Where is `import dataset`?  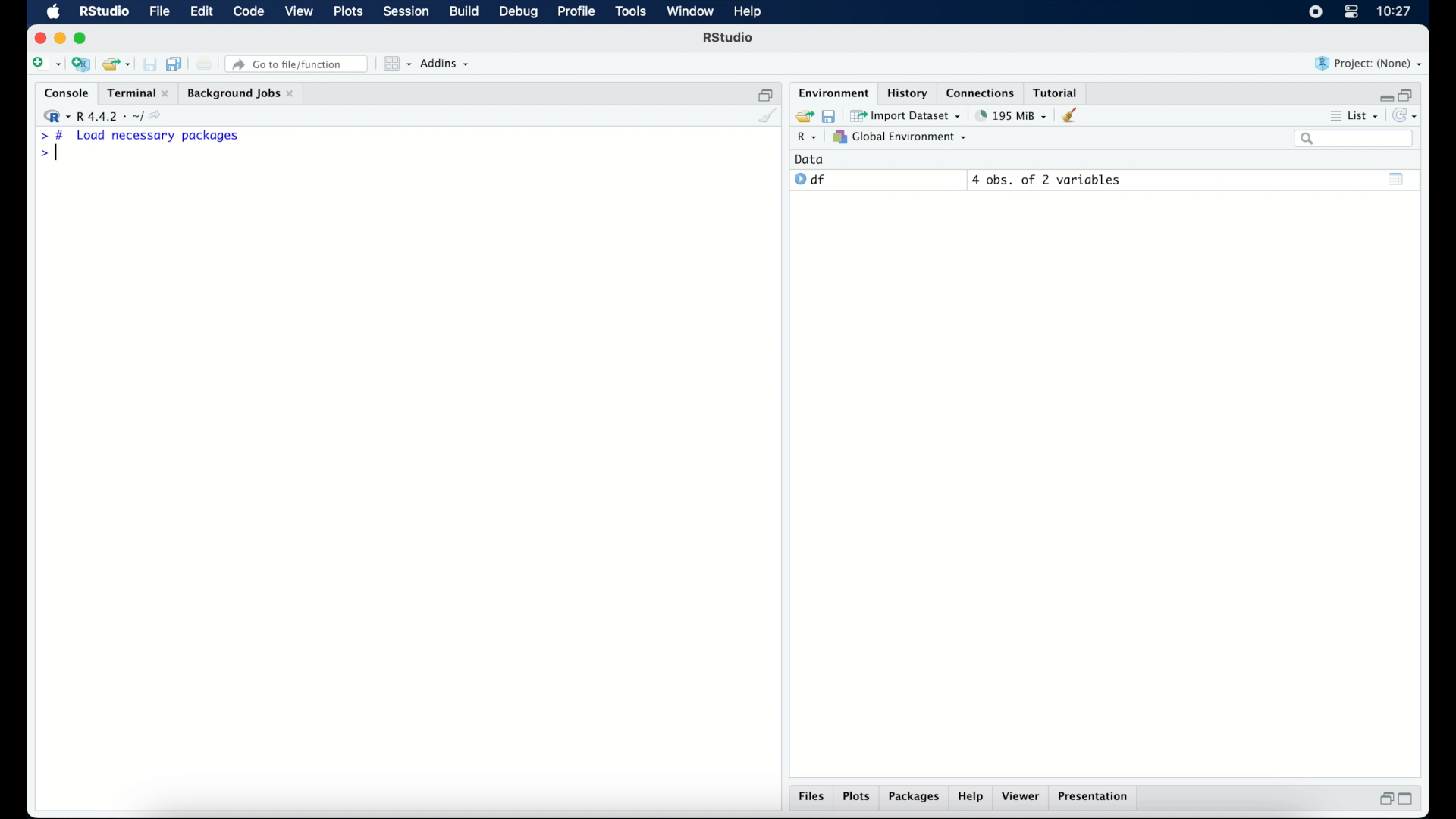 import dataset is located at coordinates (907, 115).